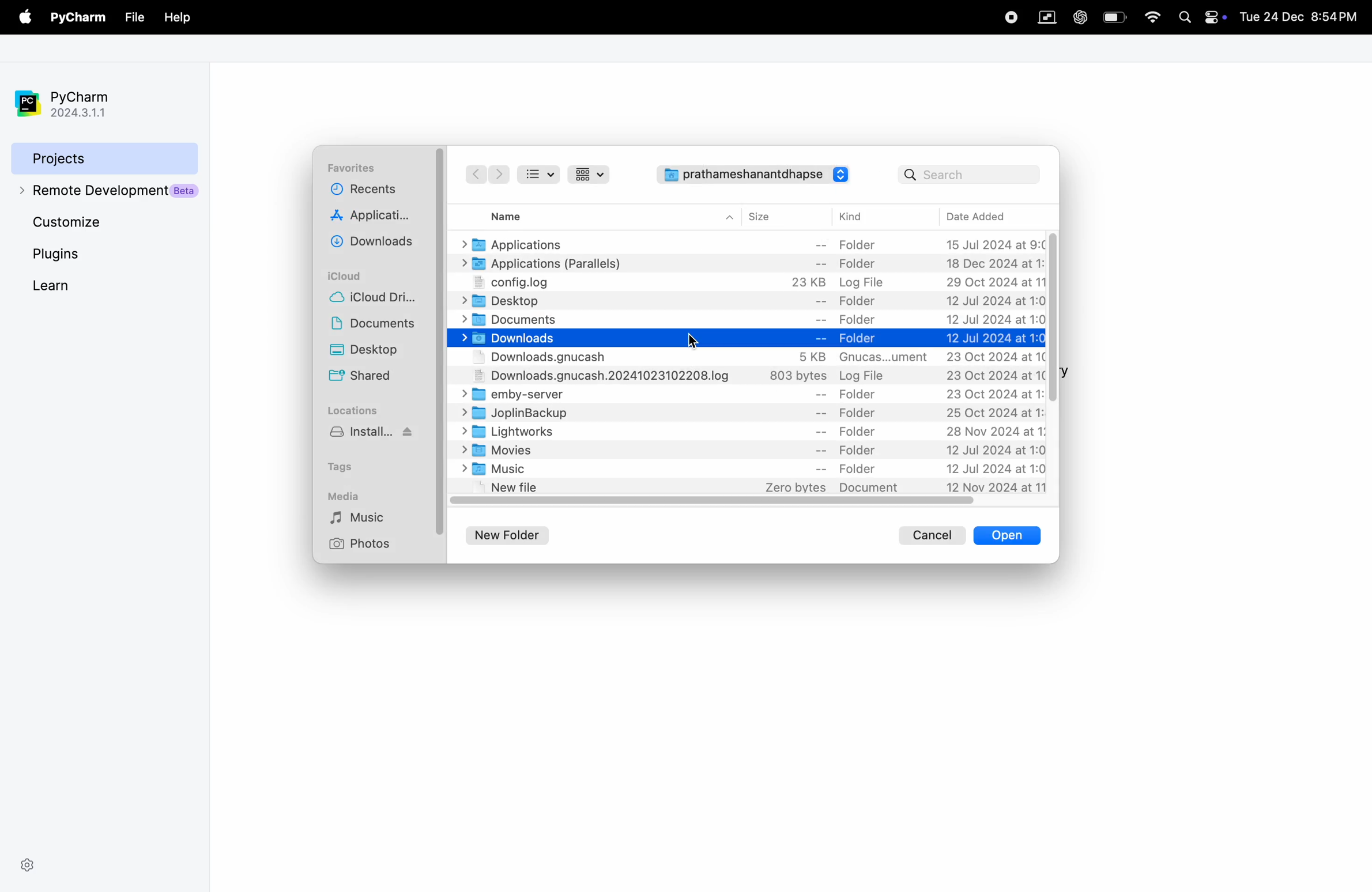 The width and height of the screenshot is (1372, 892). Describe the element at coordinates (350, 464) in the screenshot. I see `tags` at that location.